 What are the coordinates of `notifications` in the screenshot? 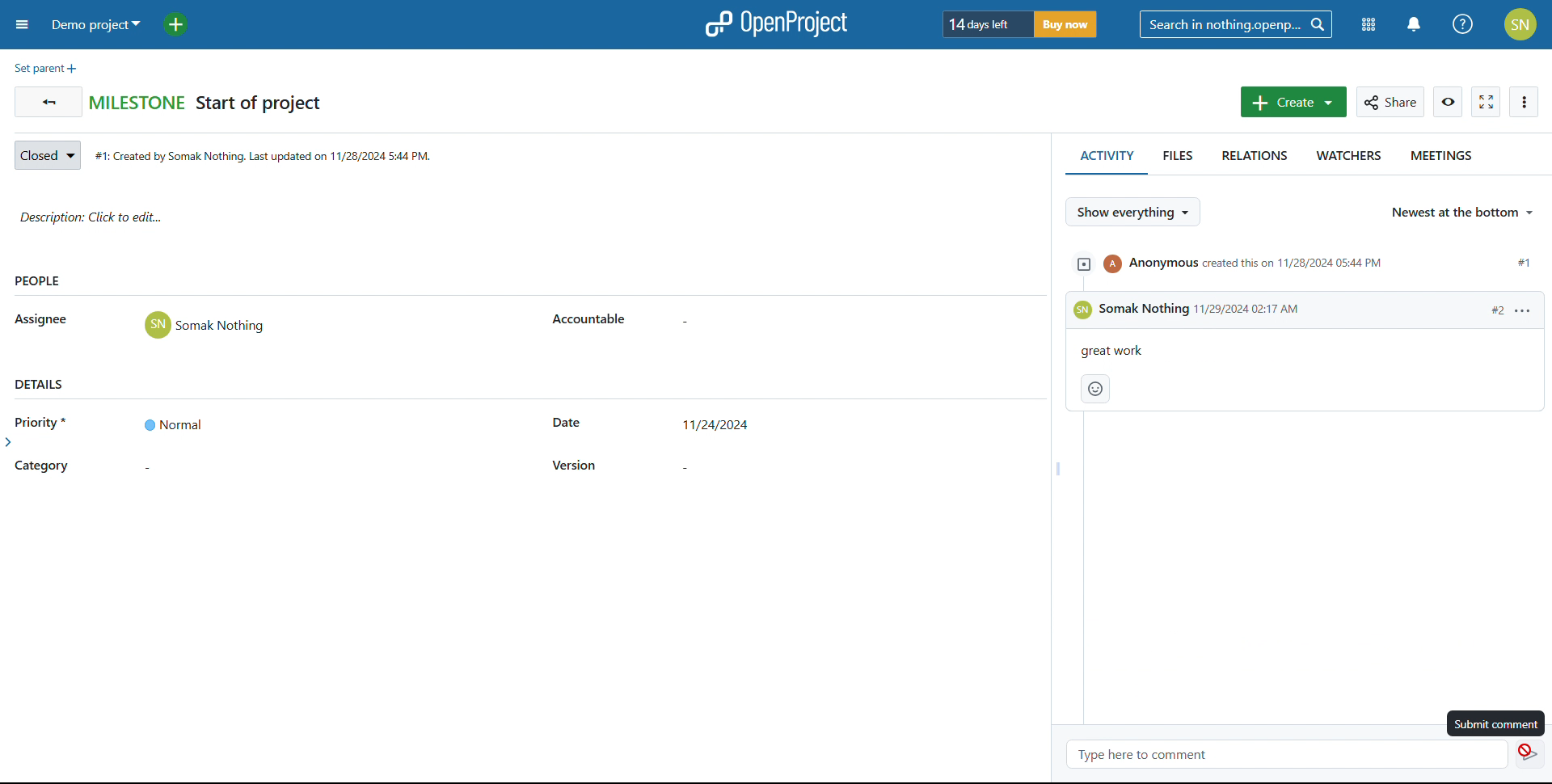 It's located at (1415, 24).